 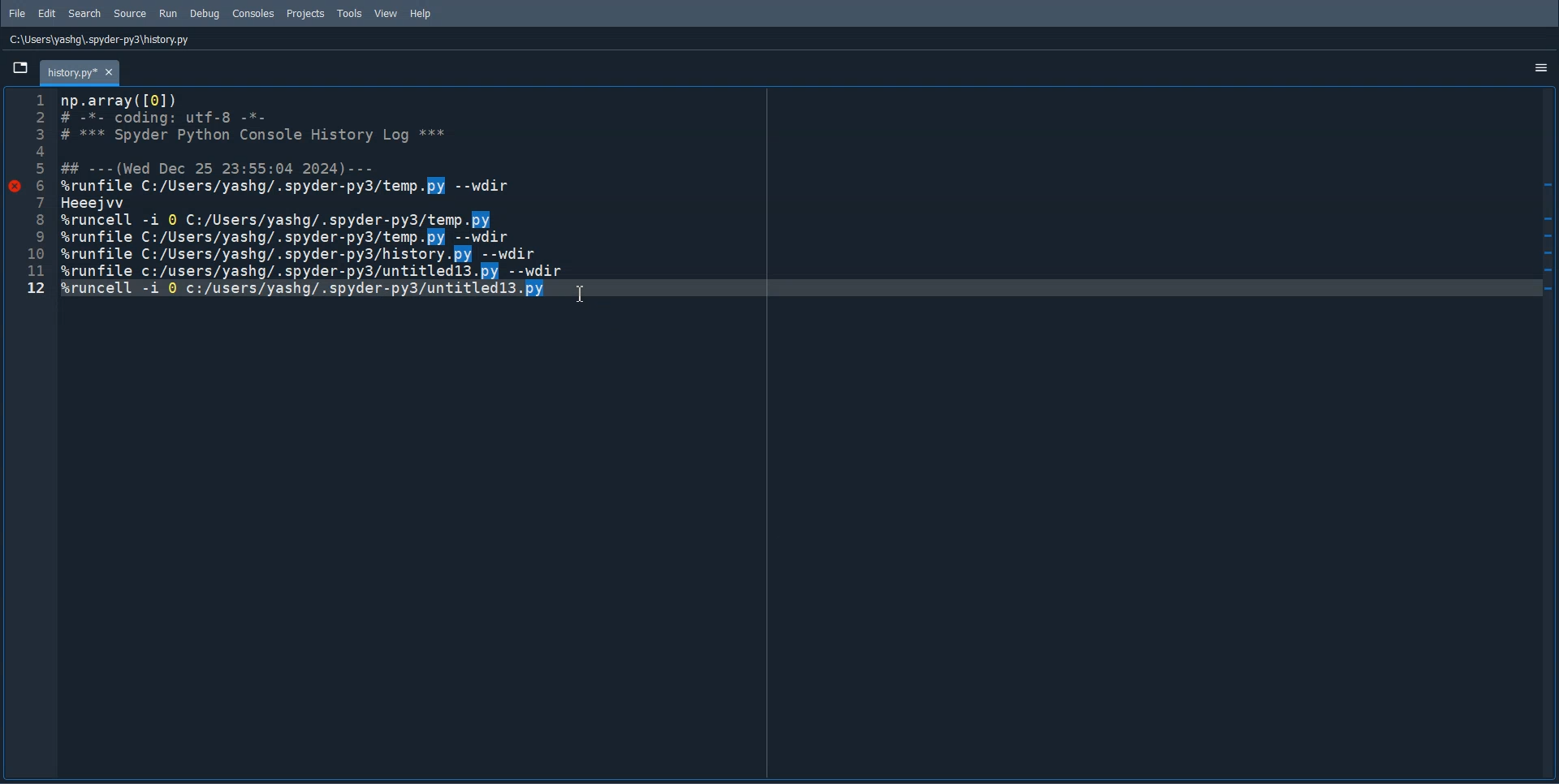 I want to click on Tools, so click(x=350, y=13).